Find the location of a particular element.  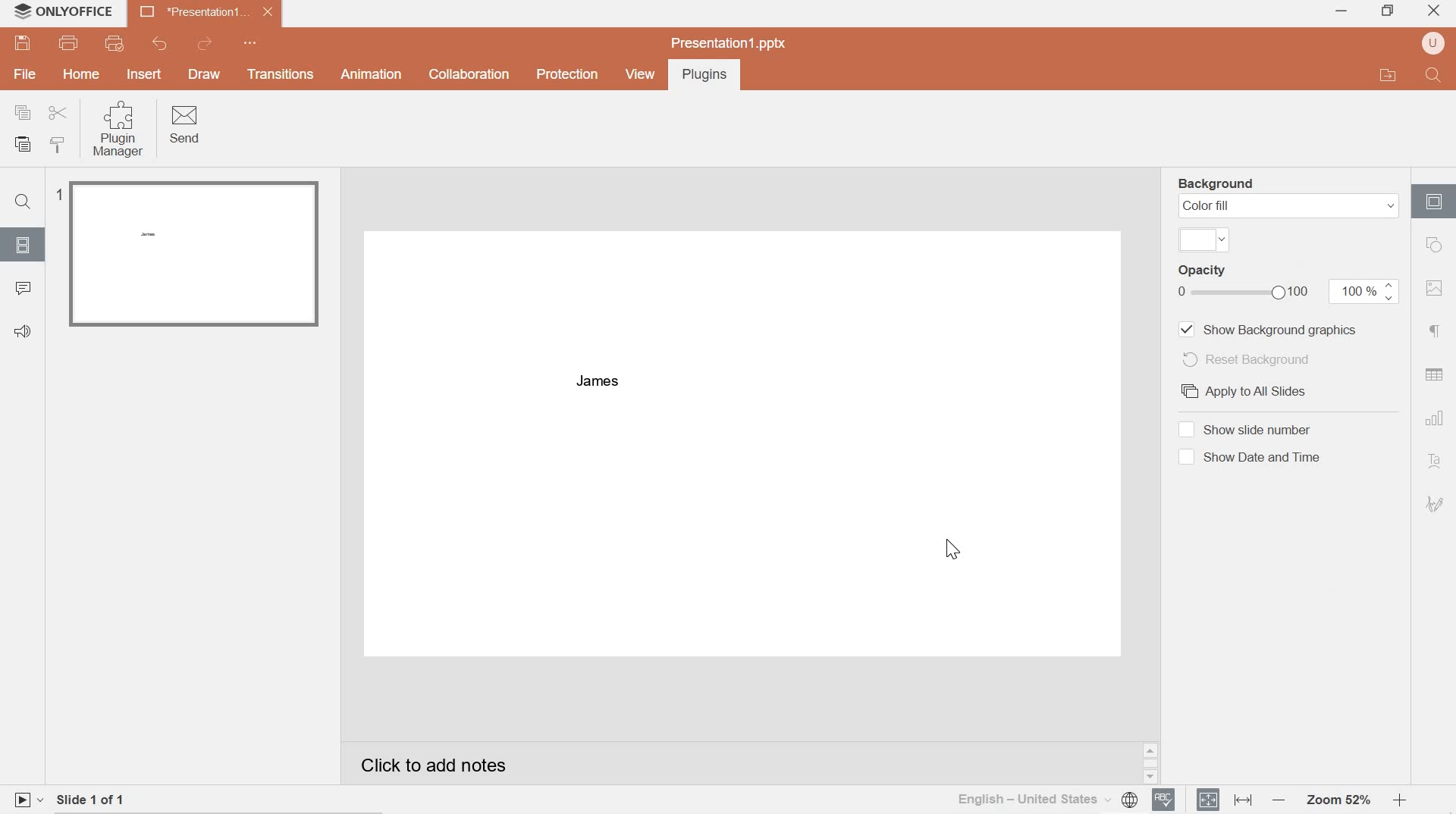

Send is located at coordinates (187, 126).